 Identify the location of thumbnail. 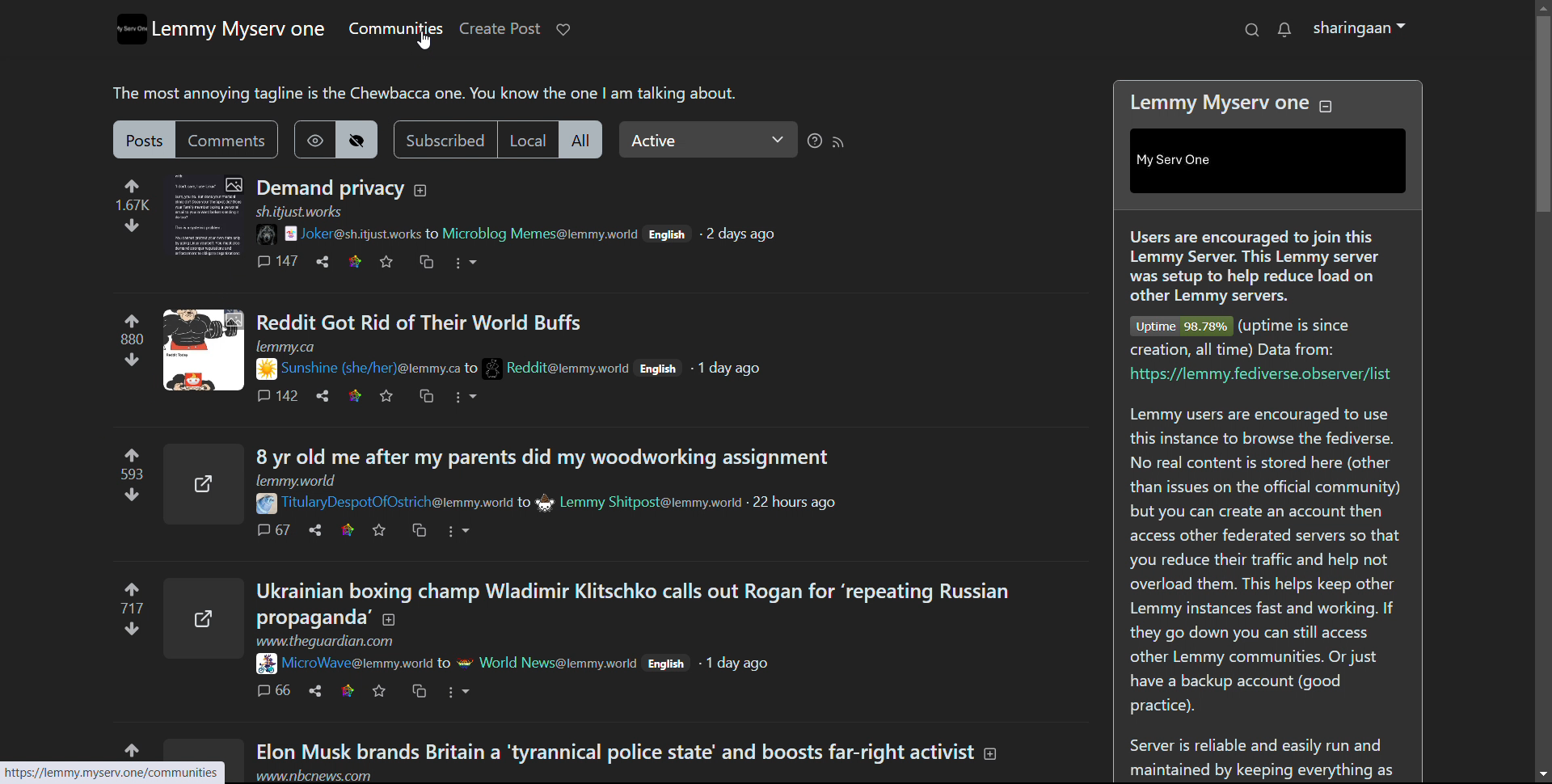
(205, 615).